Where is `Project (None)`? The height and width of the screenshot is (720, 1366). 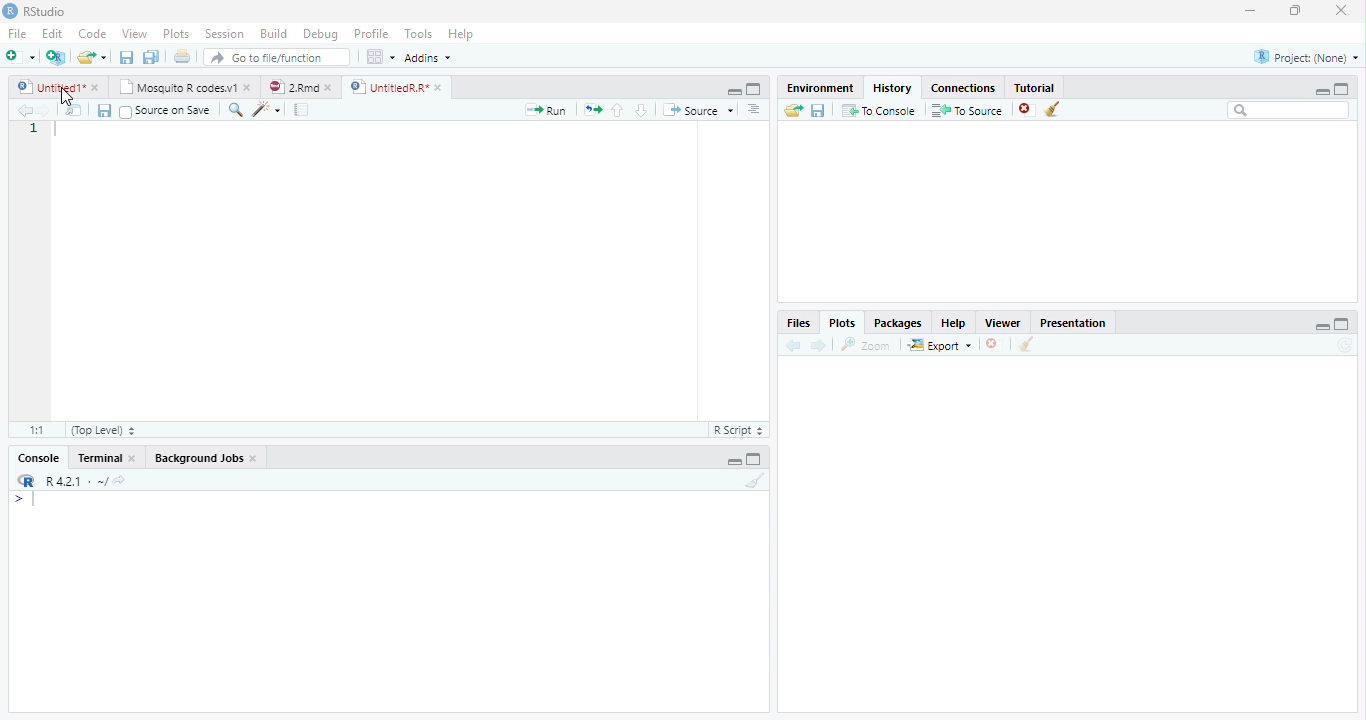 Project (None) is located at coordinates (1307, 57).